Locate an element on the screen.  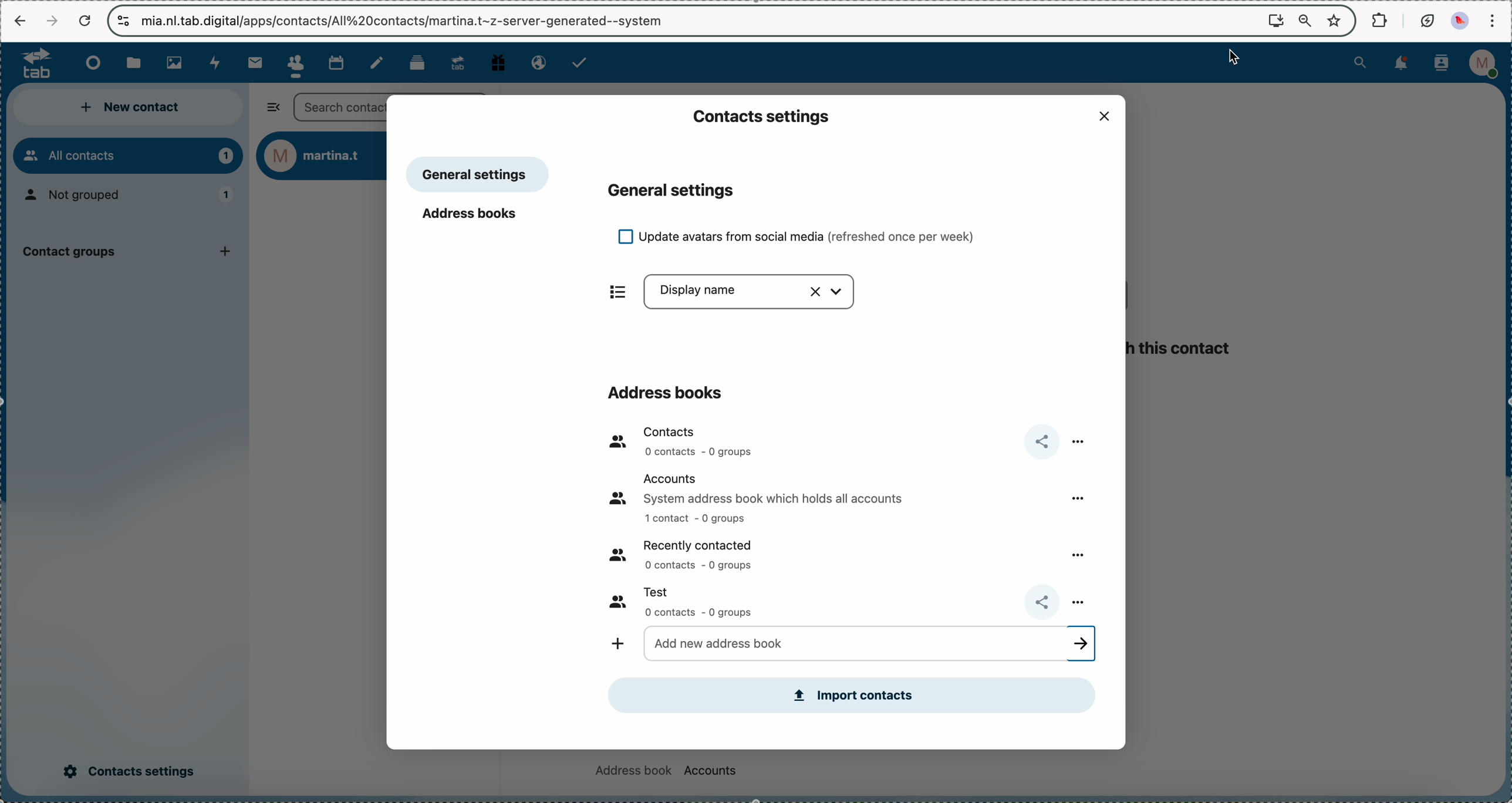
profile is located at coordinates (1483, 63).